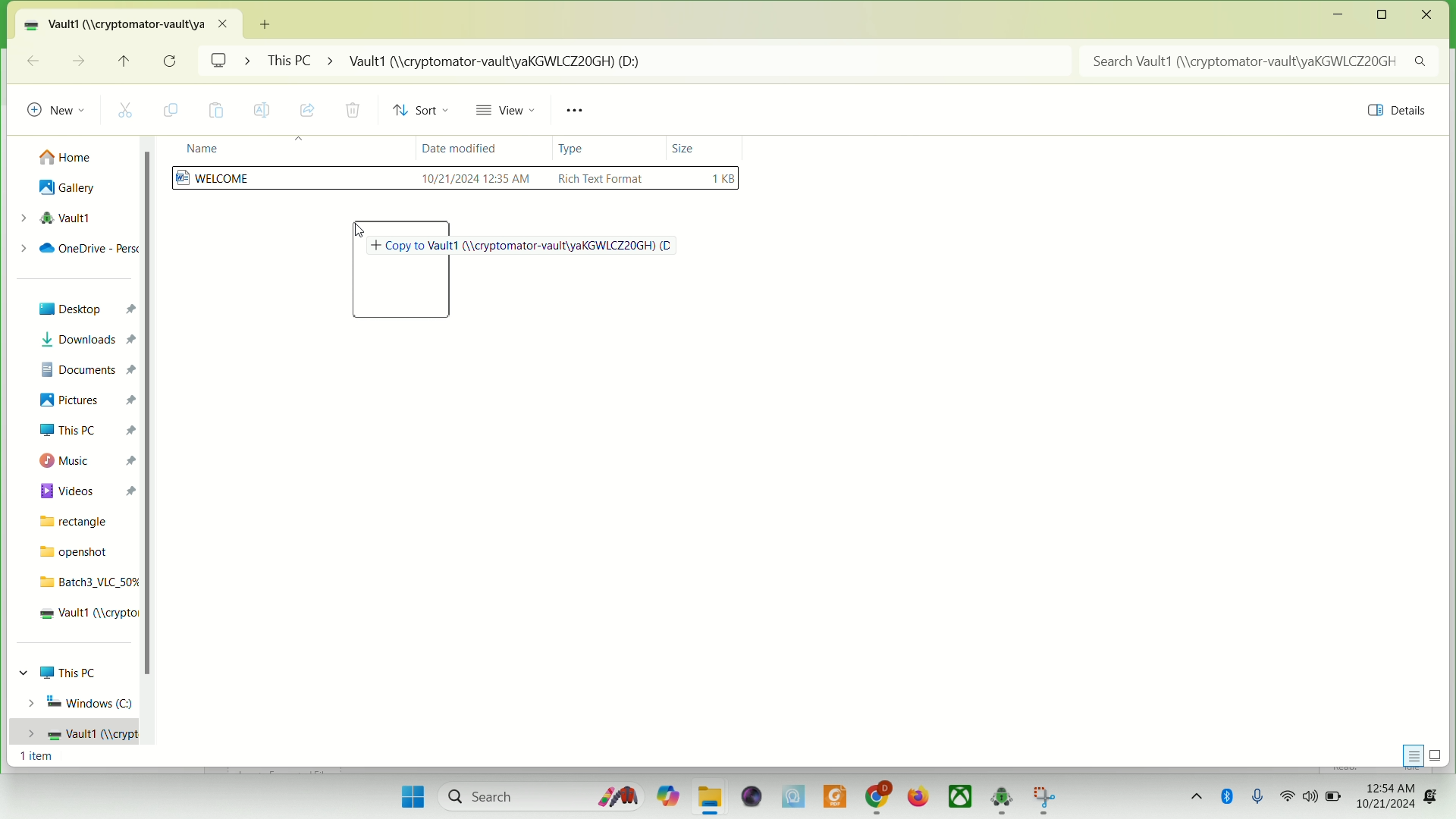 The height and width of the screenshot is (819, 1456). I want to click on type, so click(574, 151).